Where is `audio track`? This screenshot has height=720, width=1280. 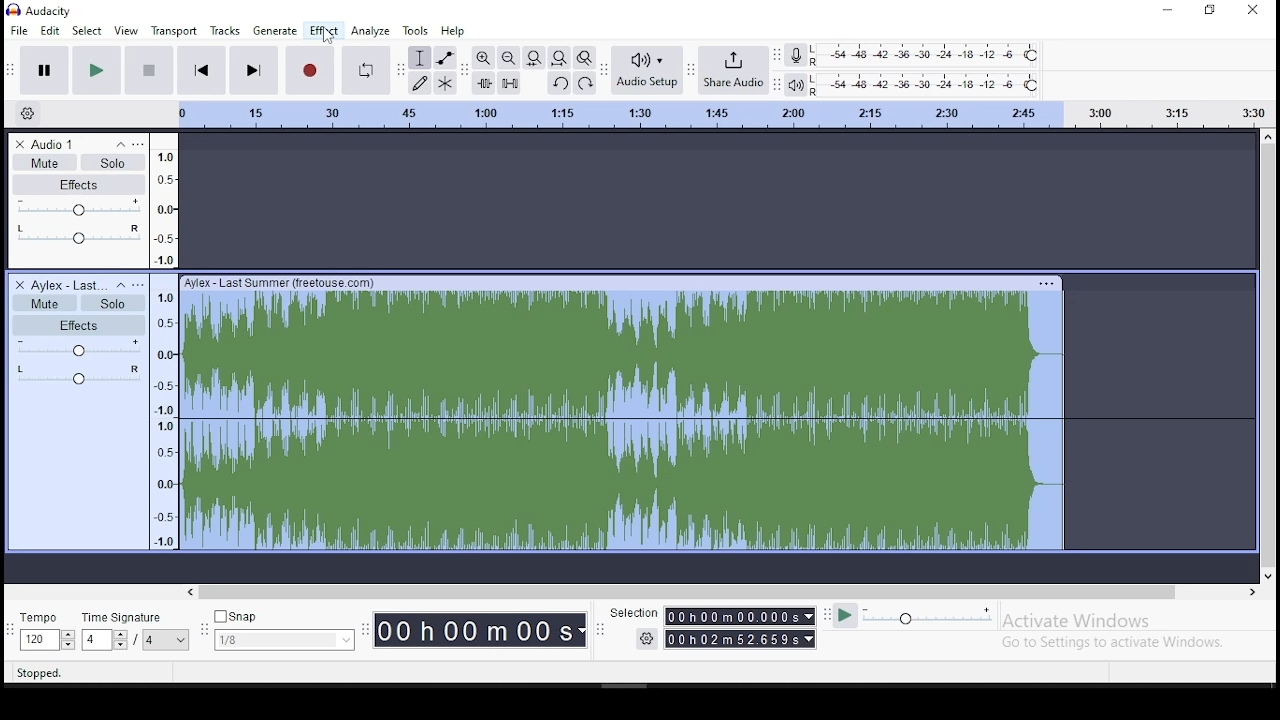
audio track is located at coordinates (621, 411).